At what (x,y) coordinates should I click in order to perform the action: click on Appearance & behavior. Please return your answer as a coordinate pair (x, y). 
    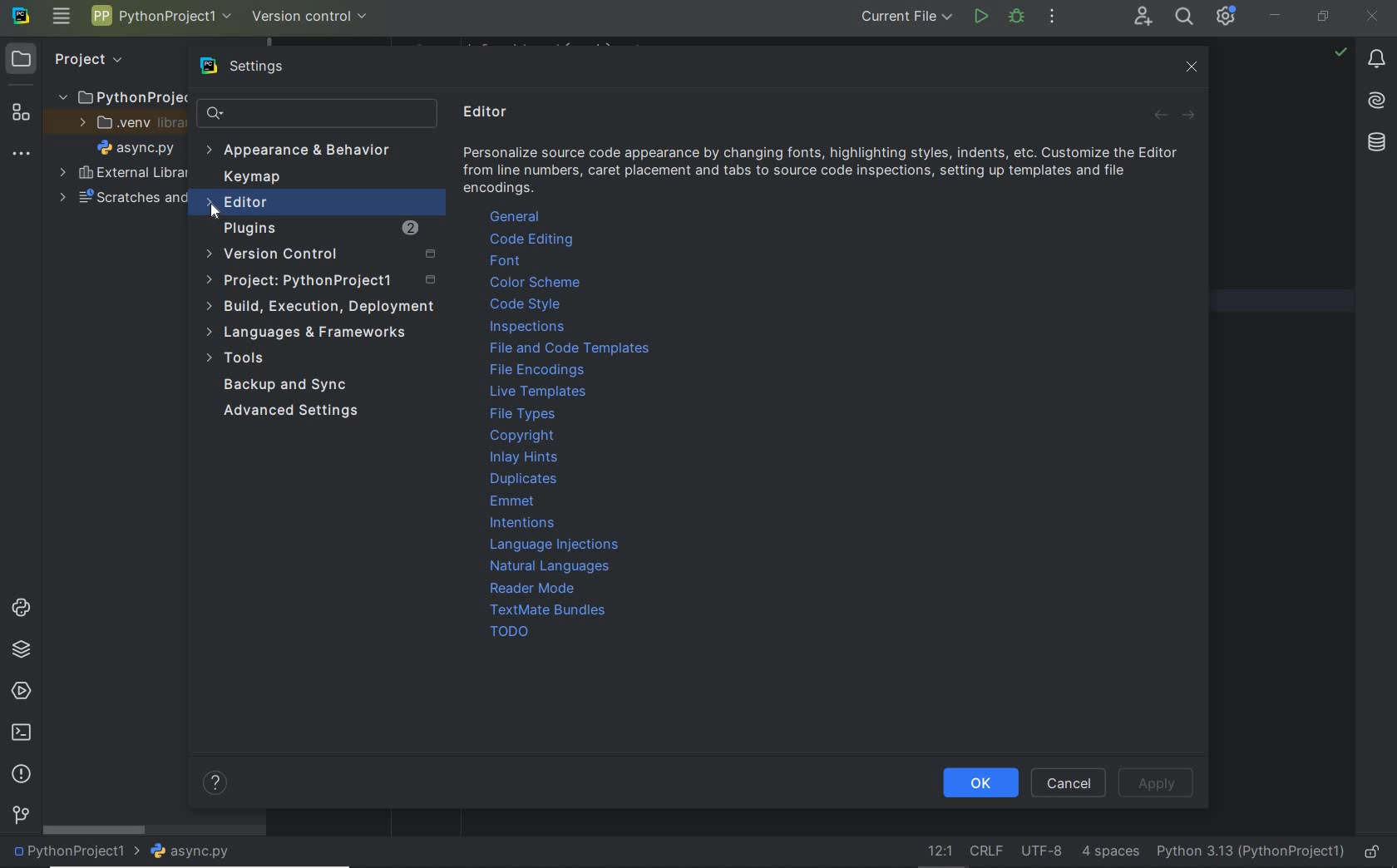
    Looking at the image, I should click on (310, 151).